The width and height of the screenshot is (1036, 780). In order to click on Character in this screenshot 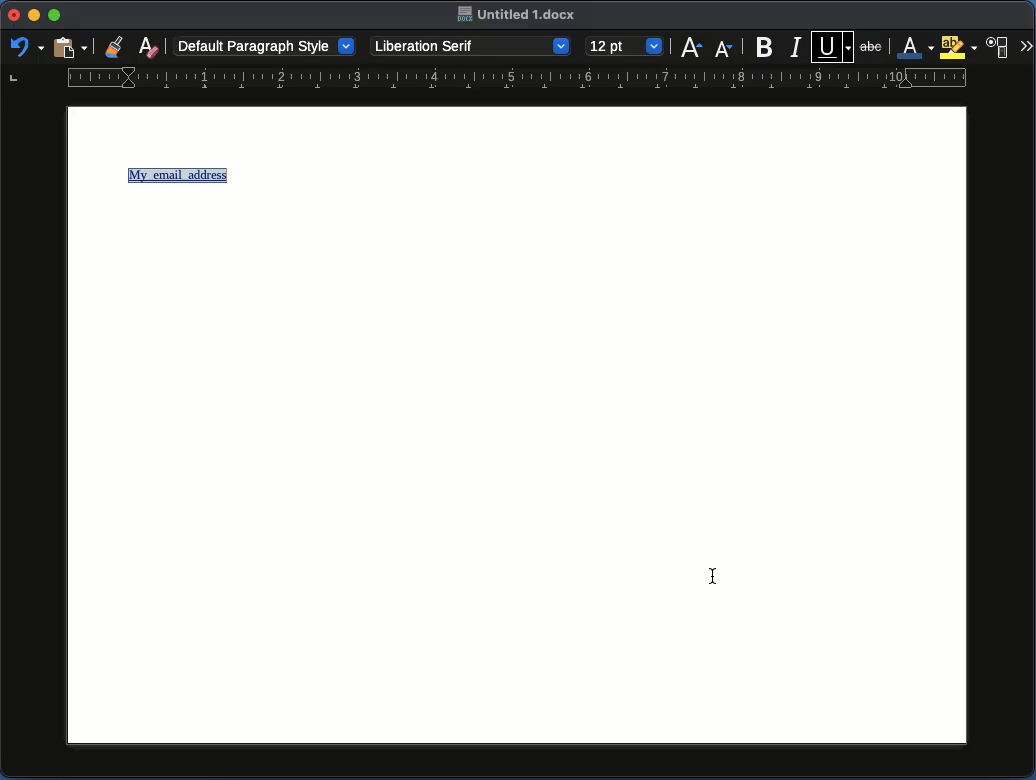, I will do `click(1000, 45)`.